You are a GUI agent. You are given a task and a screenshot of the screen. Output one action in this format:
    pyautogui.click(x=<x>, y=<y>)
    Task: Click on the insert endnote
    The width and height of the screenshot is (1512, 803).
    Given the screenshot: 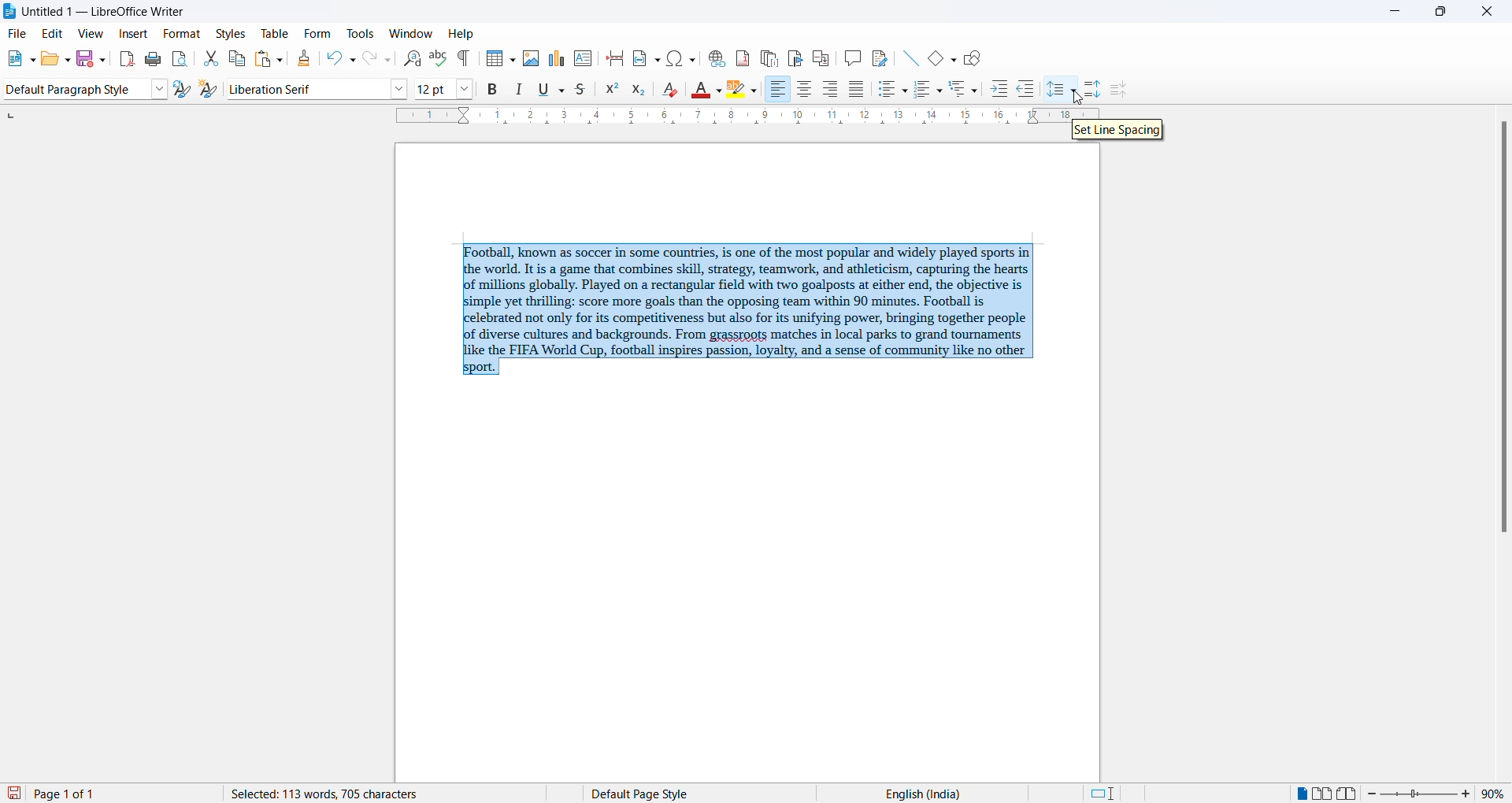 What is the action you would take?
    pyautogui.click(x=769, y=56)
    